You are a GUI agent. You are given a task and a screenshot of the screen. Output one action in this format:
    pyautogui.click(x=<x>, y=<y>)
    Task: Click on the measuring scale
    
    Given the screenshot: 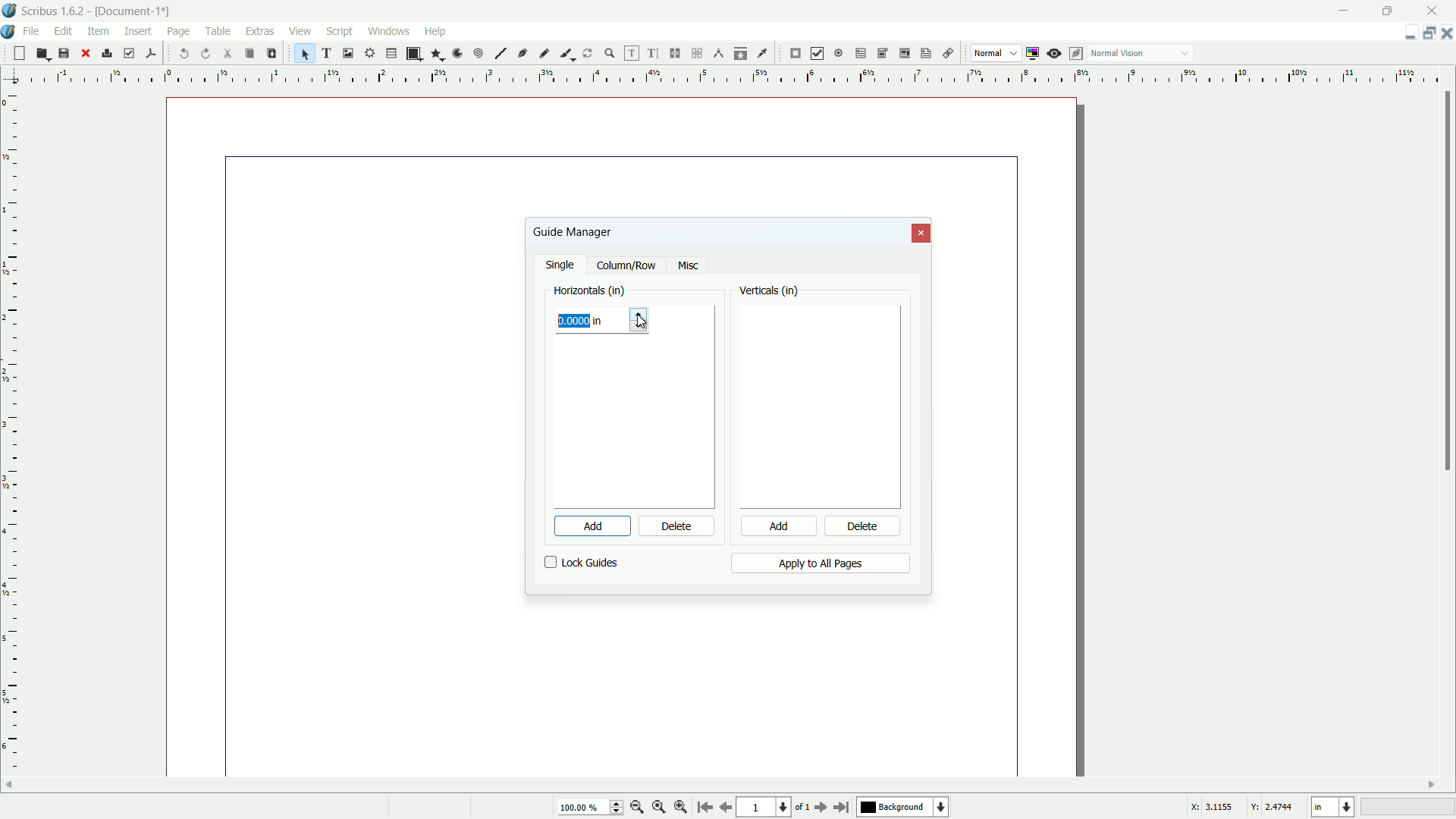 What is the action you would take?
    pyautogui.click(x=11, y=445)
    